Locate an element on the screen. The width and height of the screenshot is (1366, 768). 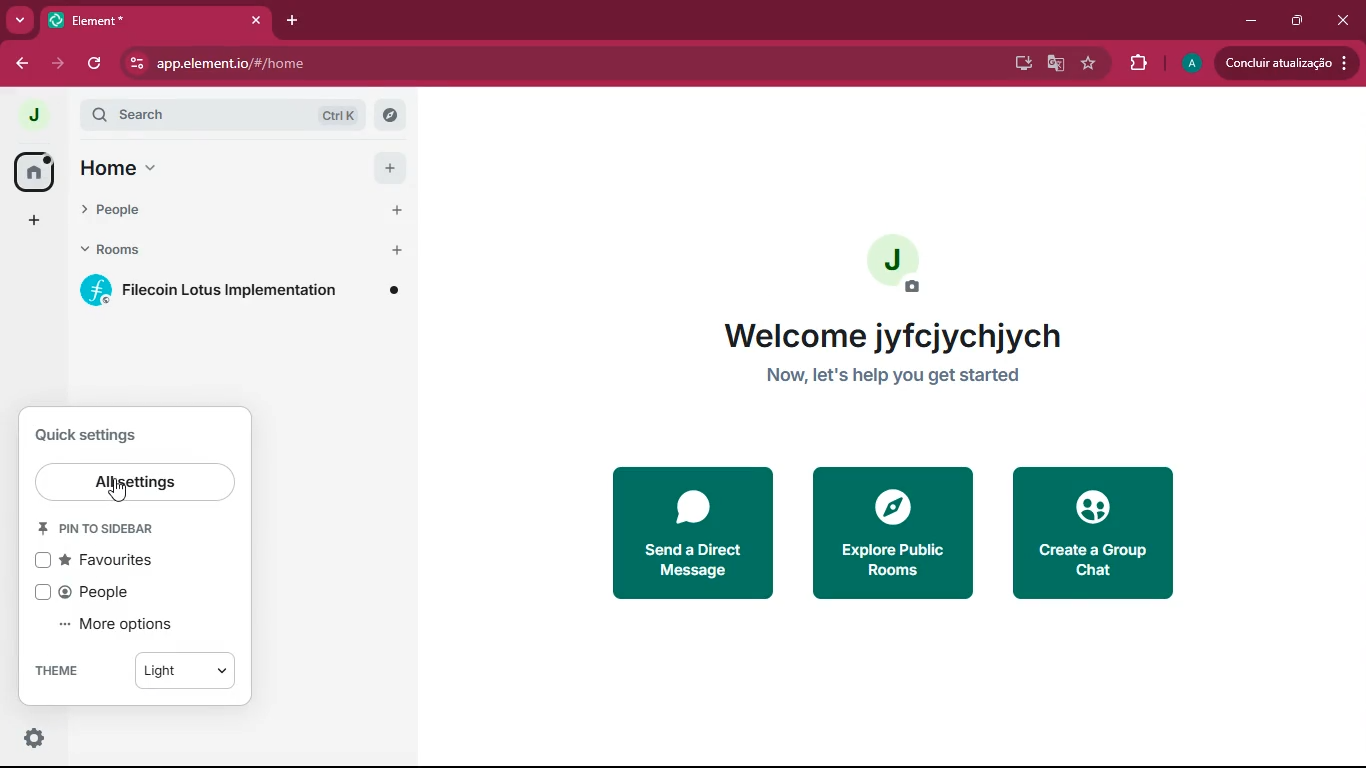
light is located at coordinates (186, 671).